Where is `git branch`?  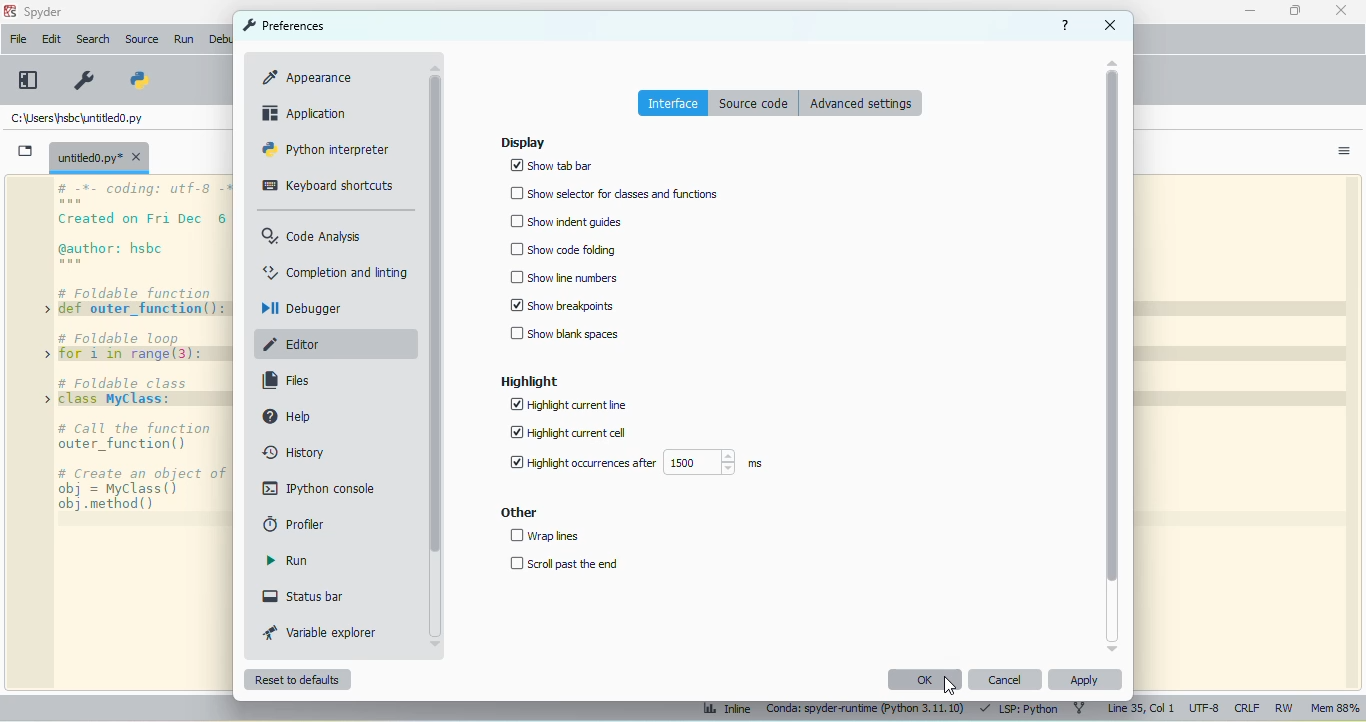
git branch is located at coordinates (1079, 709).